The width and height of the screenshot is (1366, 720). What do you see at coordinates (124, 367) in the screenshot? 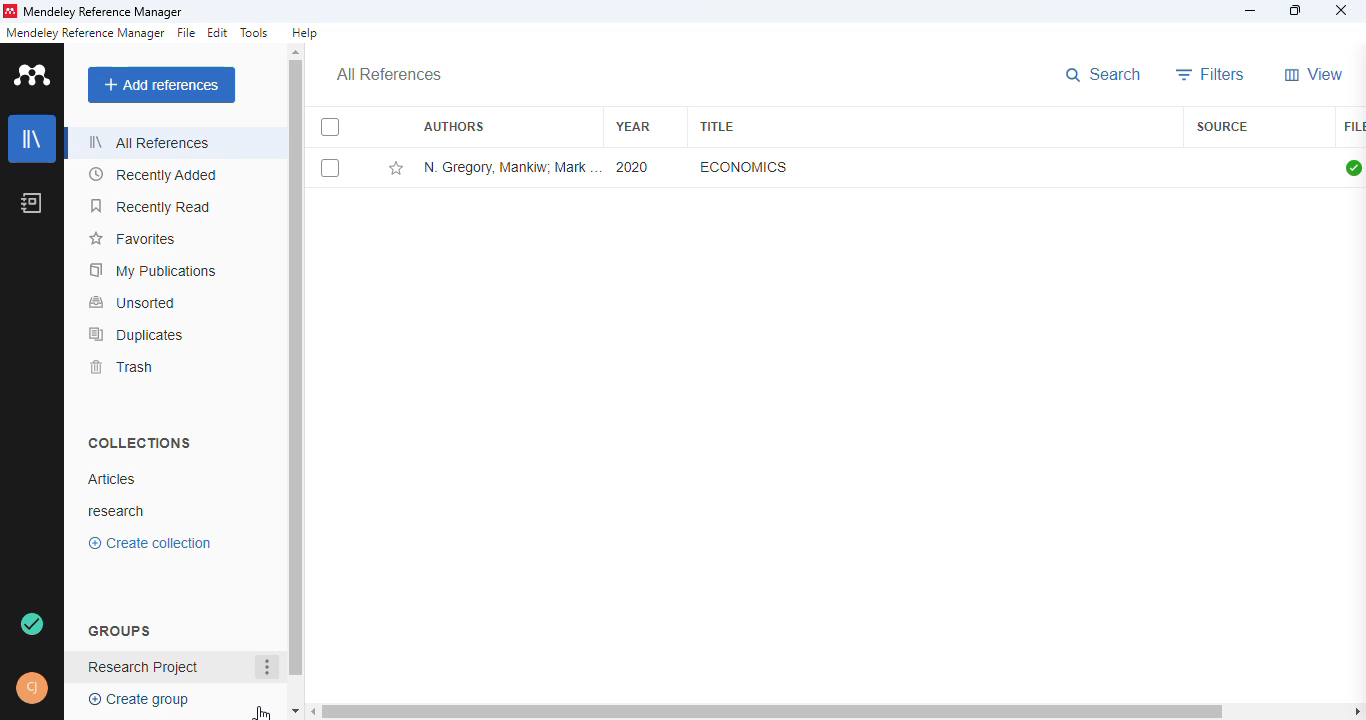
I see `trash` at bounding box center [124, 367].